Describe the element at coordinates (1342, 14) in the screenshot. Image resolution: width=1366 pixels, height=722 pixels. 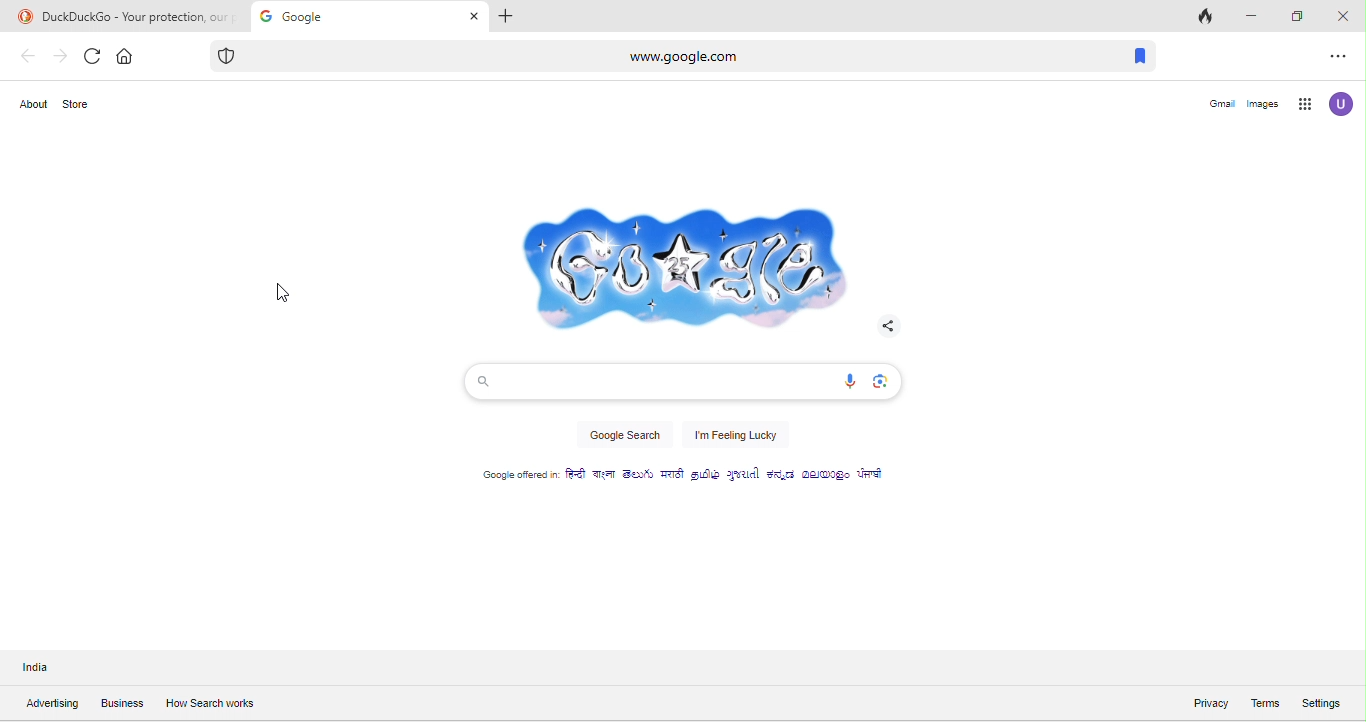
I see `close` at that location.